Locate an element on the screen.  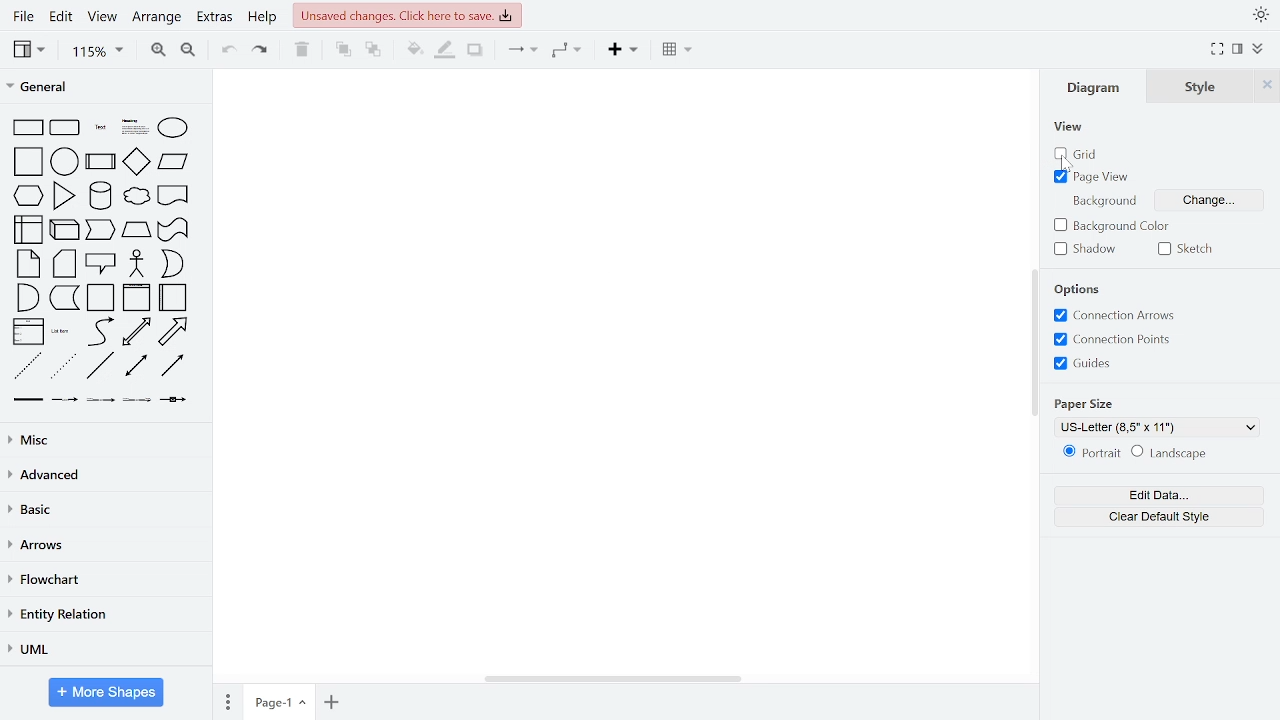
or is located at coordinates (172, 263).